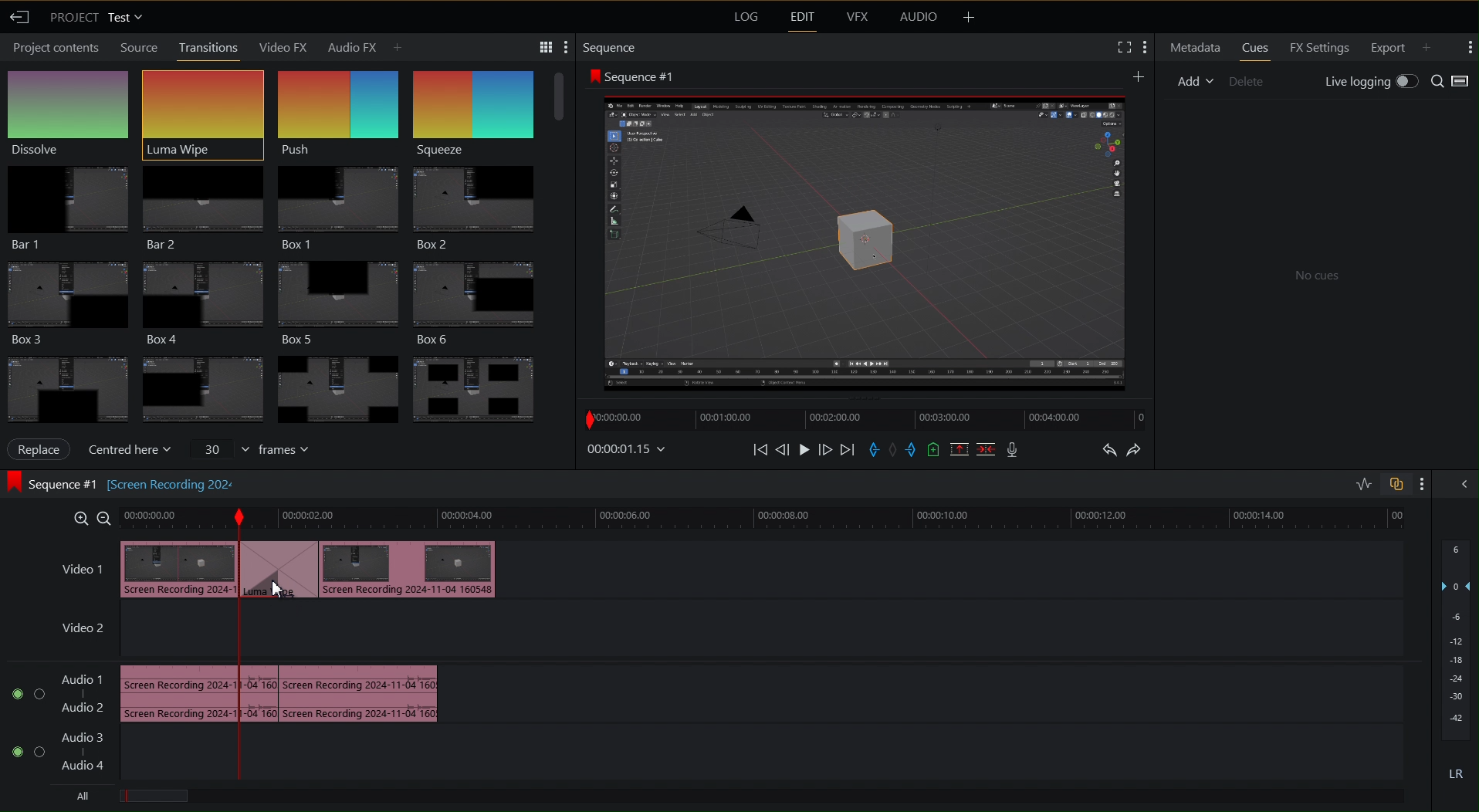 This screenshot has height=812, width=1479. What do you see at coordinates (1433, 46) in the screenshot?
I see `Add` at bounding box center [1433, 46].